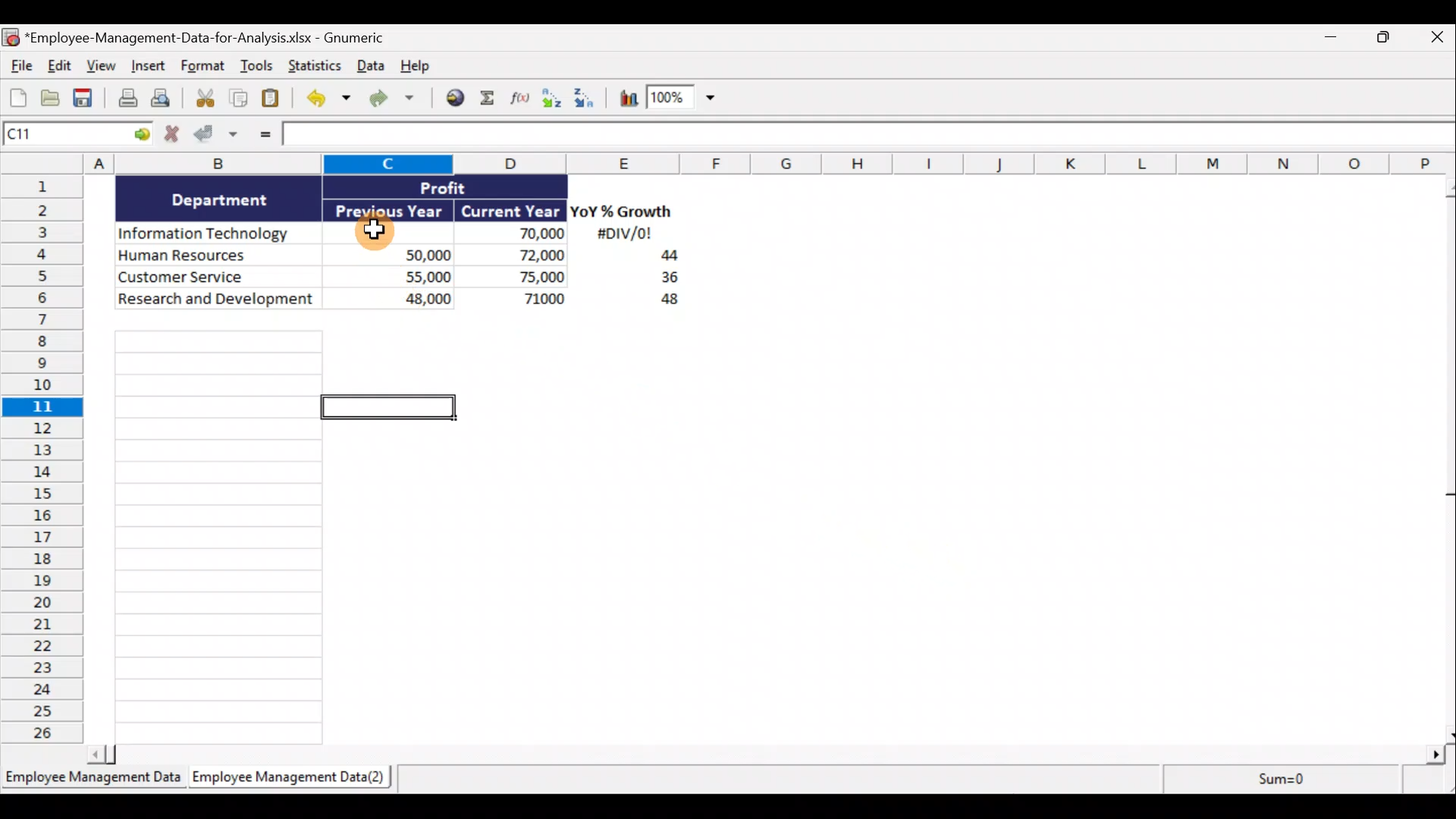 The width and height of the screenshot is (1456, 819). What do you see at coordinates (18, 97) in the screenshot?
I see `Create new workbook` at bounding box center [18, 97].